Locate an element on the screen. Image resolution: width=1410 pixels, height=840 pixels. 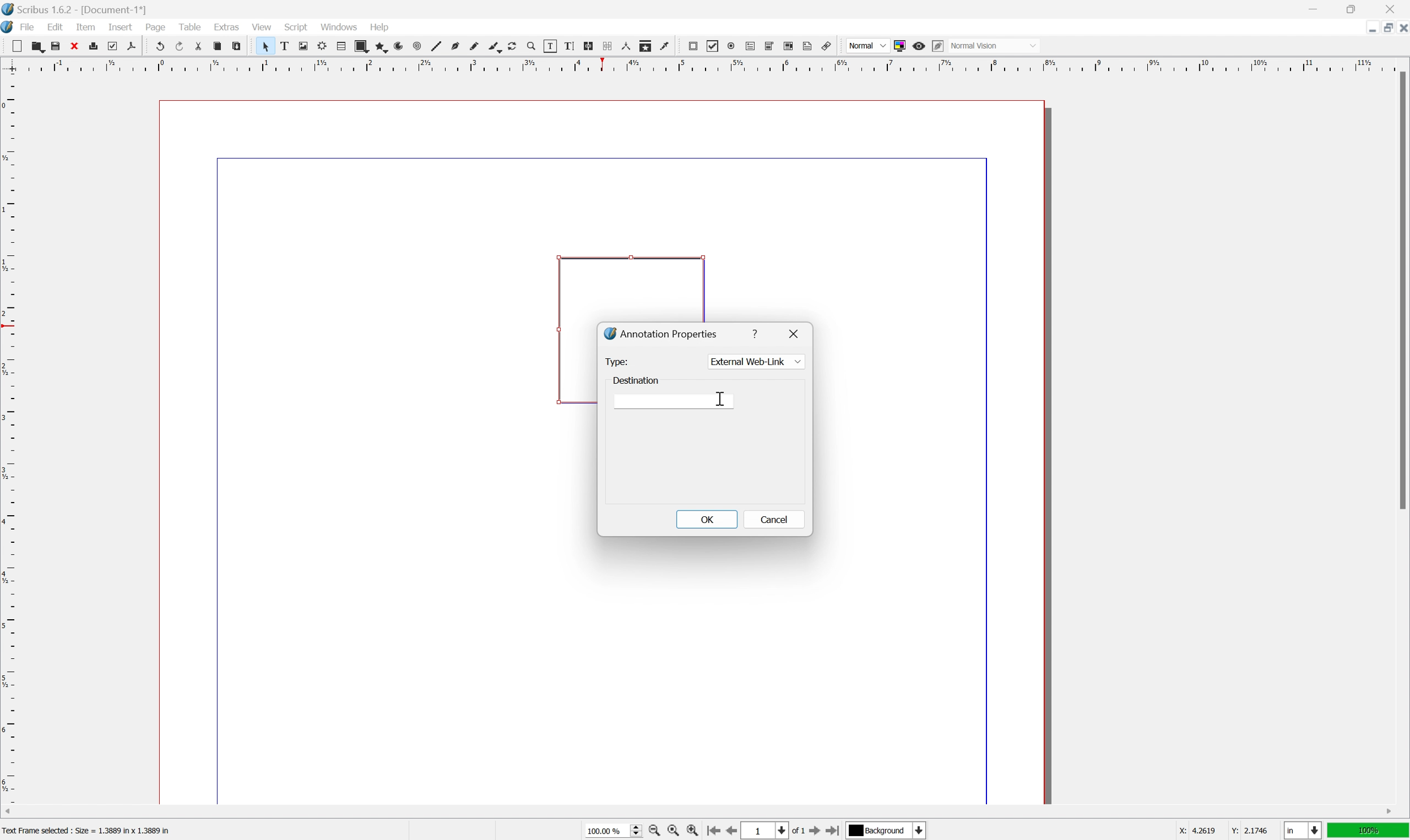
go to previous page is located at coordinates (729, 830).